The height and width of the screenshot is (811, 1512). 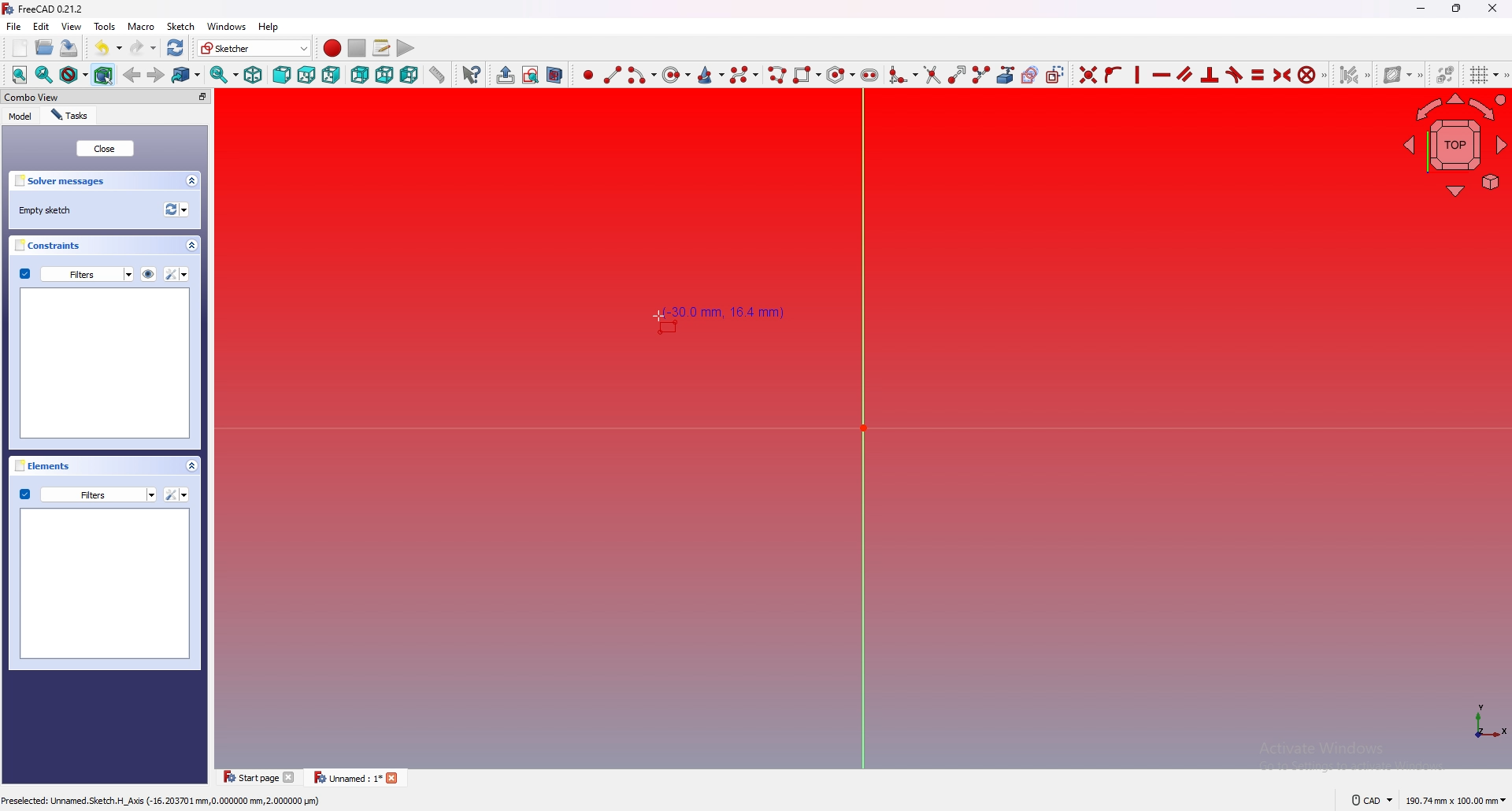 I want to click on settings, so click(x=175, y=494).